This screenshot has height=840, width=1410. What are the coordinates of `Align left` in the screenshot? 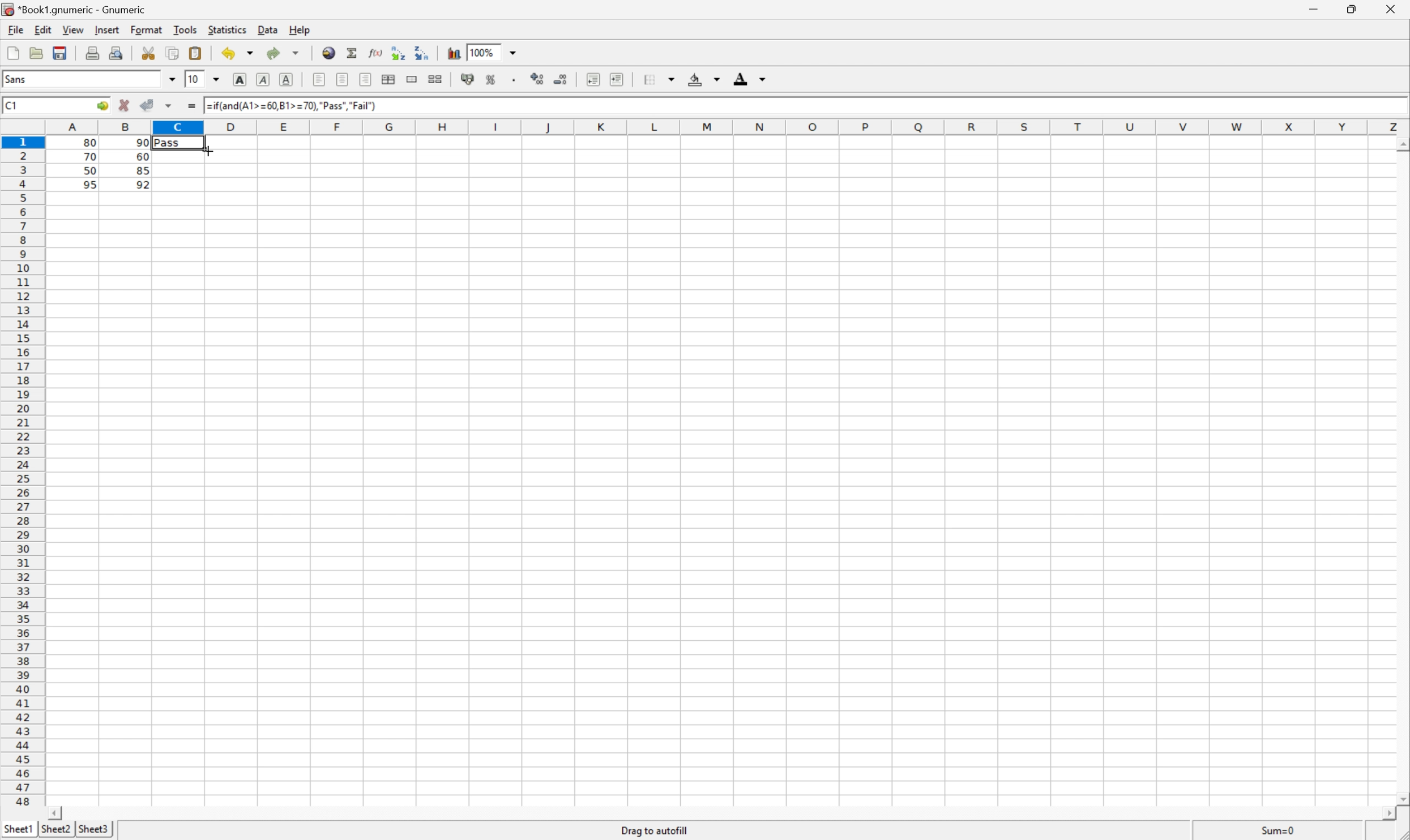 It's located at (367, 79).